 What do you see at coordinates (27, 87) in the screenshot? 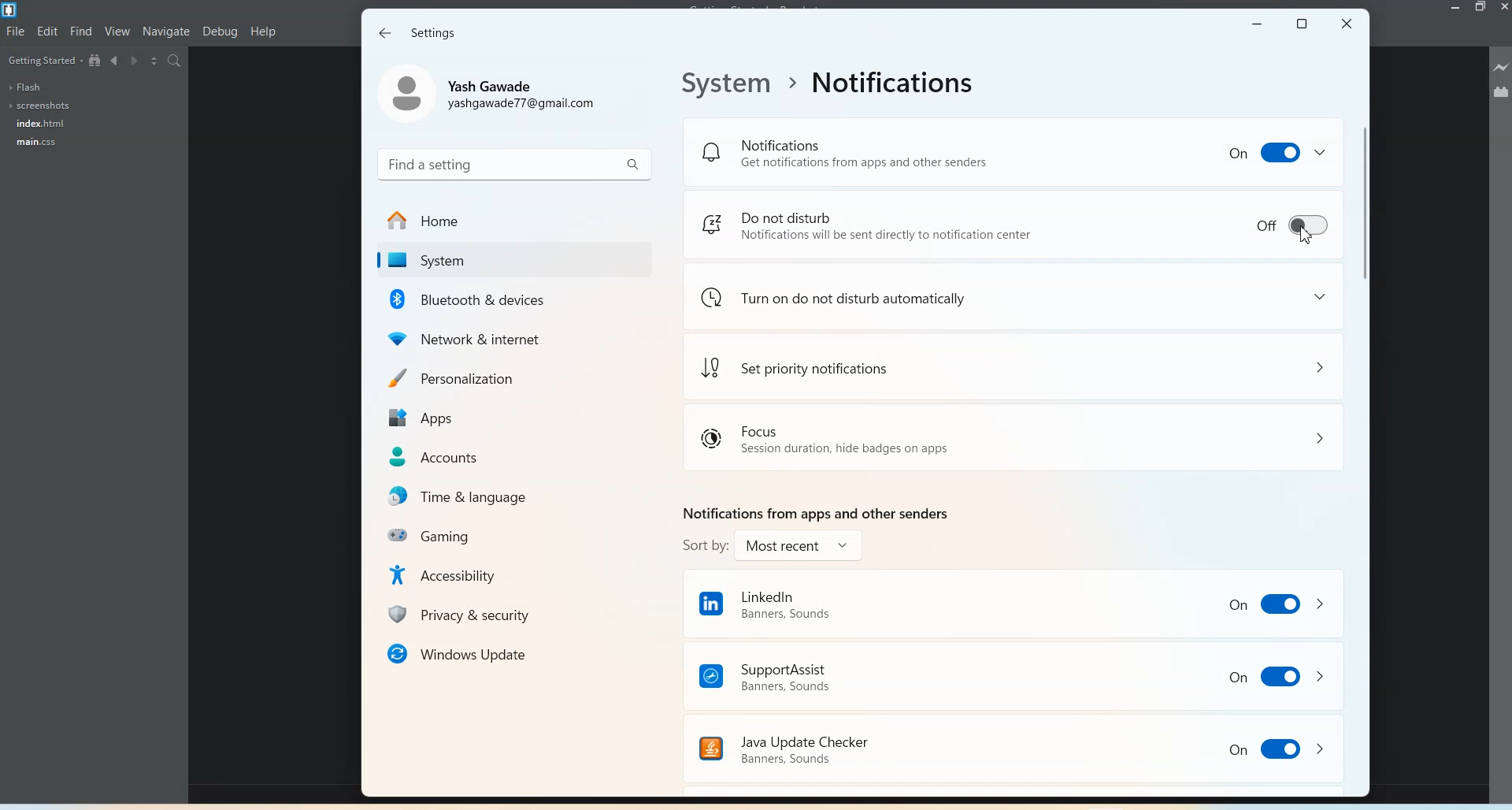
I see `Flash` at bounding box center [27, 87].